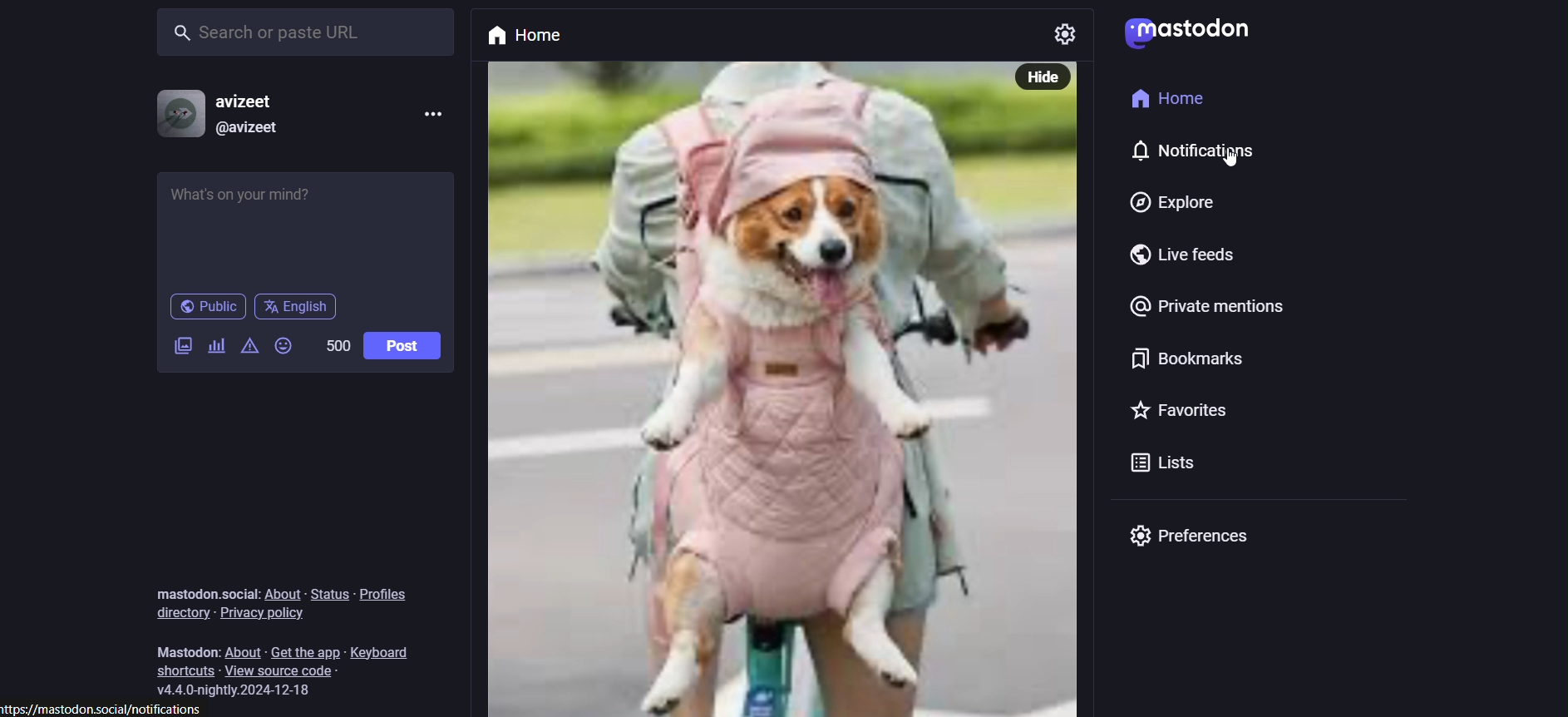 The height and width of the screenshot is (717, 1568). What do you see at coordinates (1236, 162) in the screenshot?
I see `Cursor` at bounding box center [1236, 162].